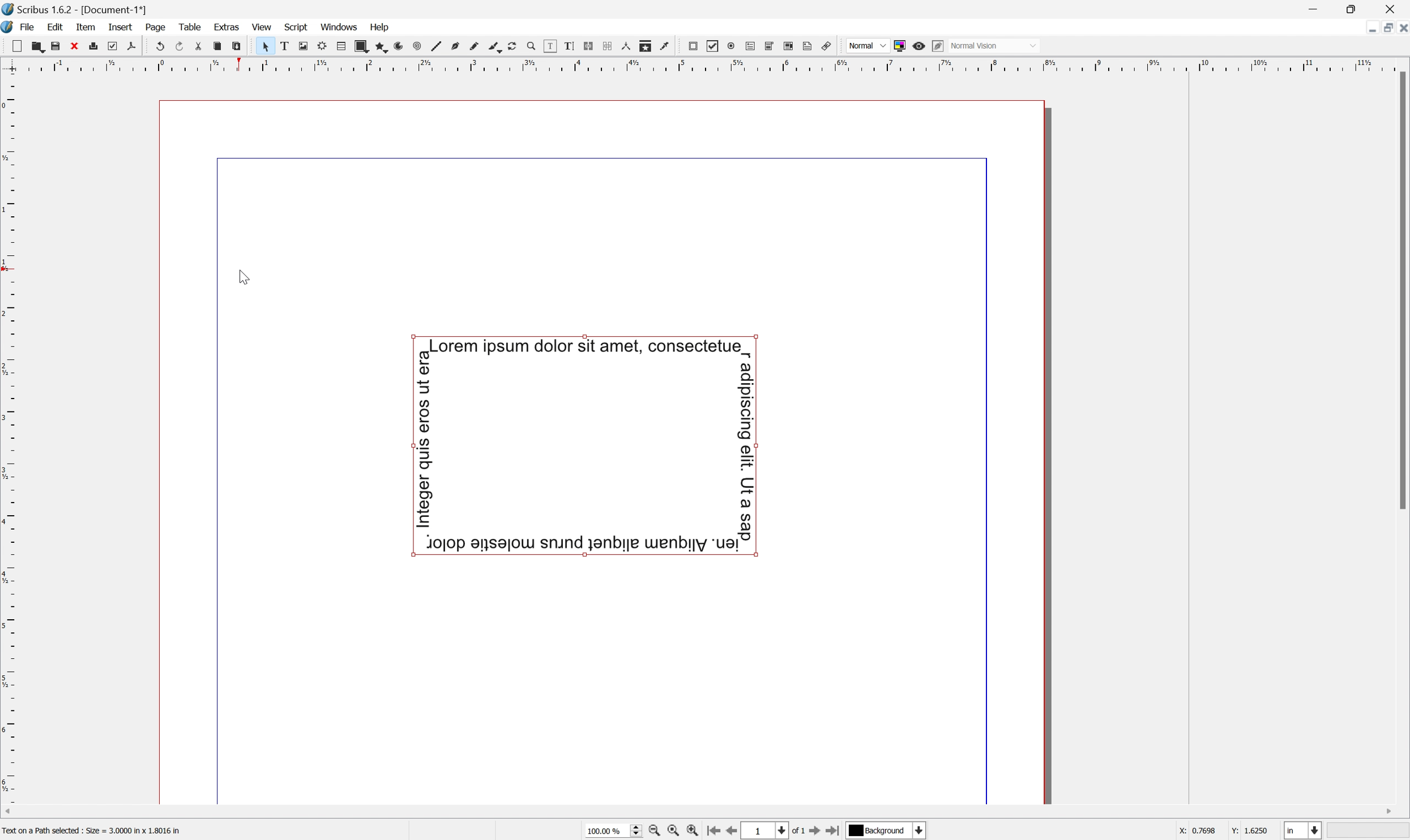 The height and width of the screenshot is (840, 1410). Describe the element at coordinates (919, 45) in the screenshot. I see `Preview` at that location.